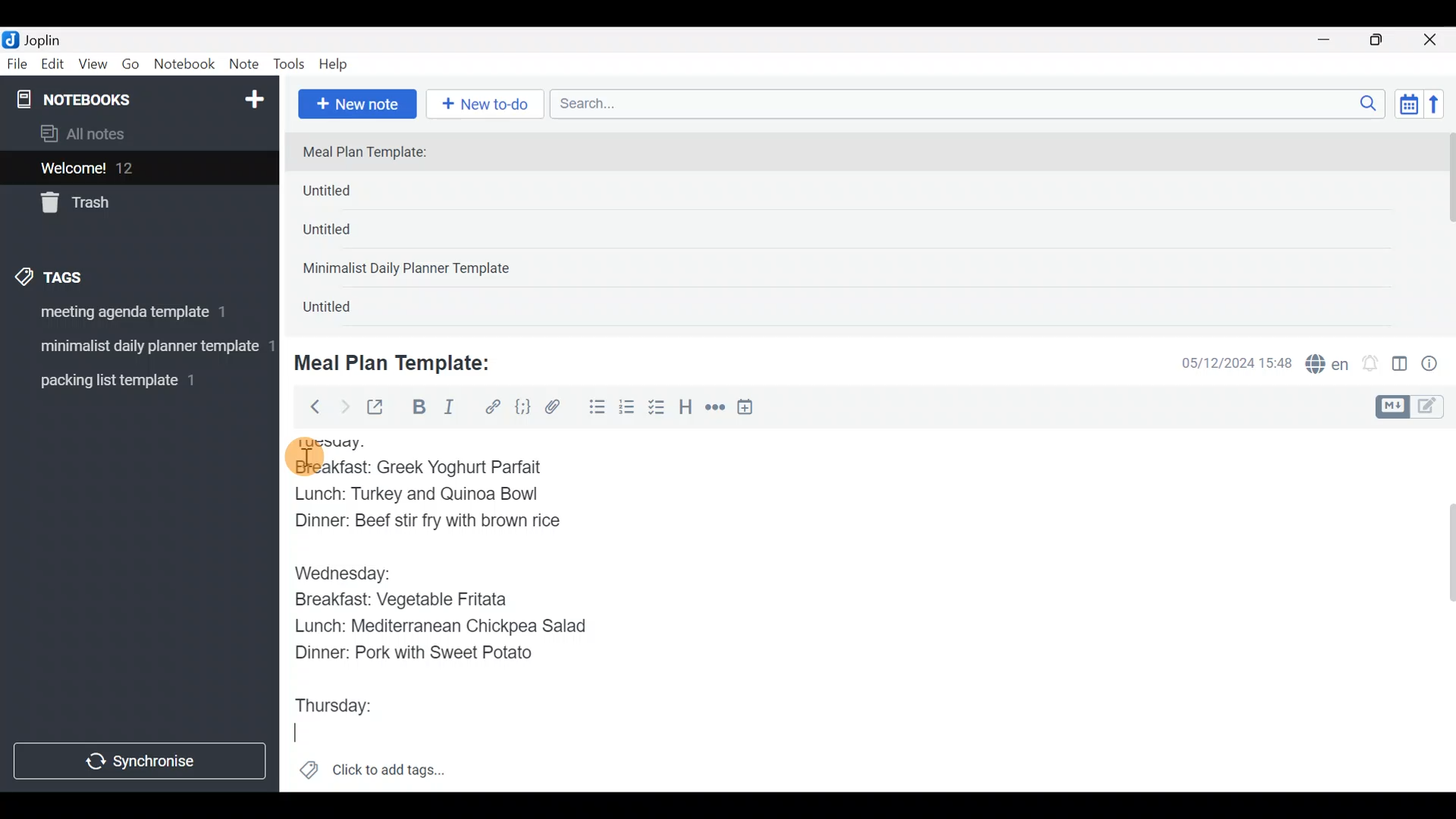 This screenshot has width=1456, height=819. I want to click on Meal Plan Template:, so click(402, 361).